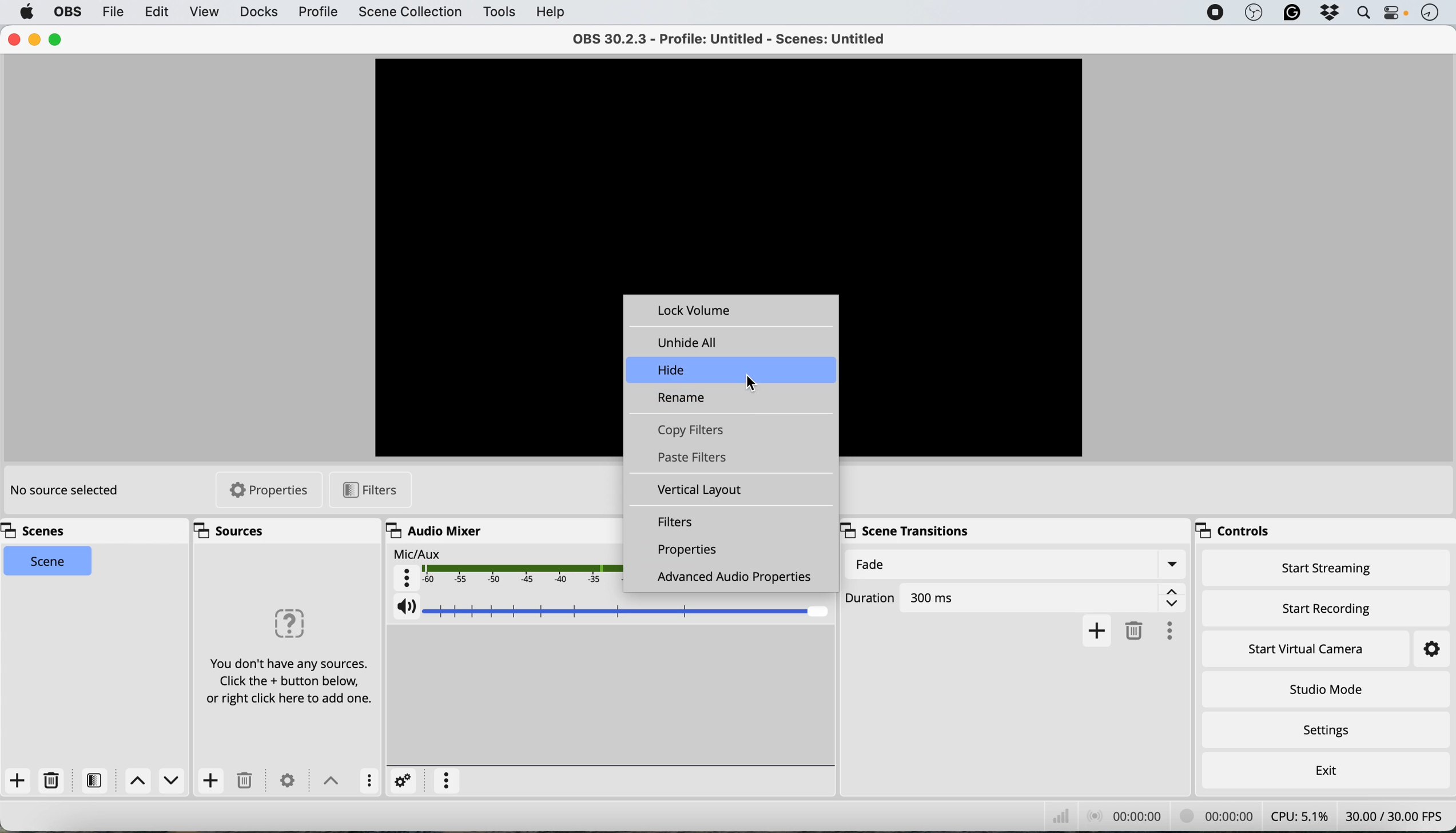  Describe the element at coordinates (1128, 815) in the screenshot. I see `audio recording timestamp - 00:00:00` at that location.